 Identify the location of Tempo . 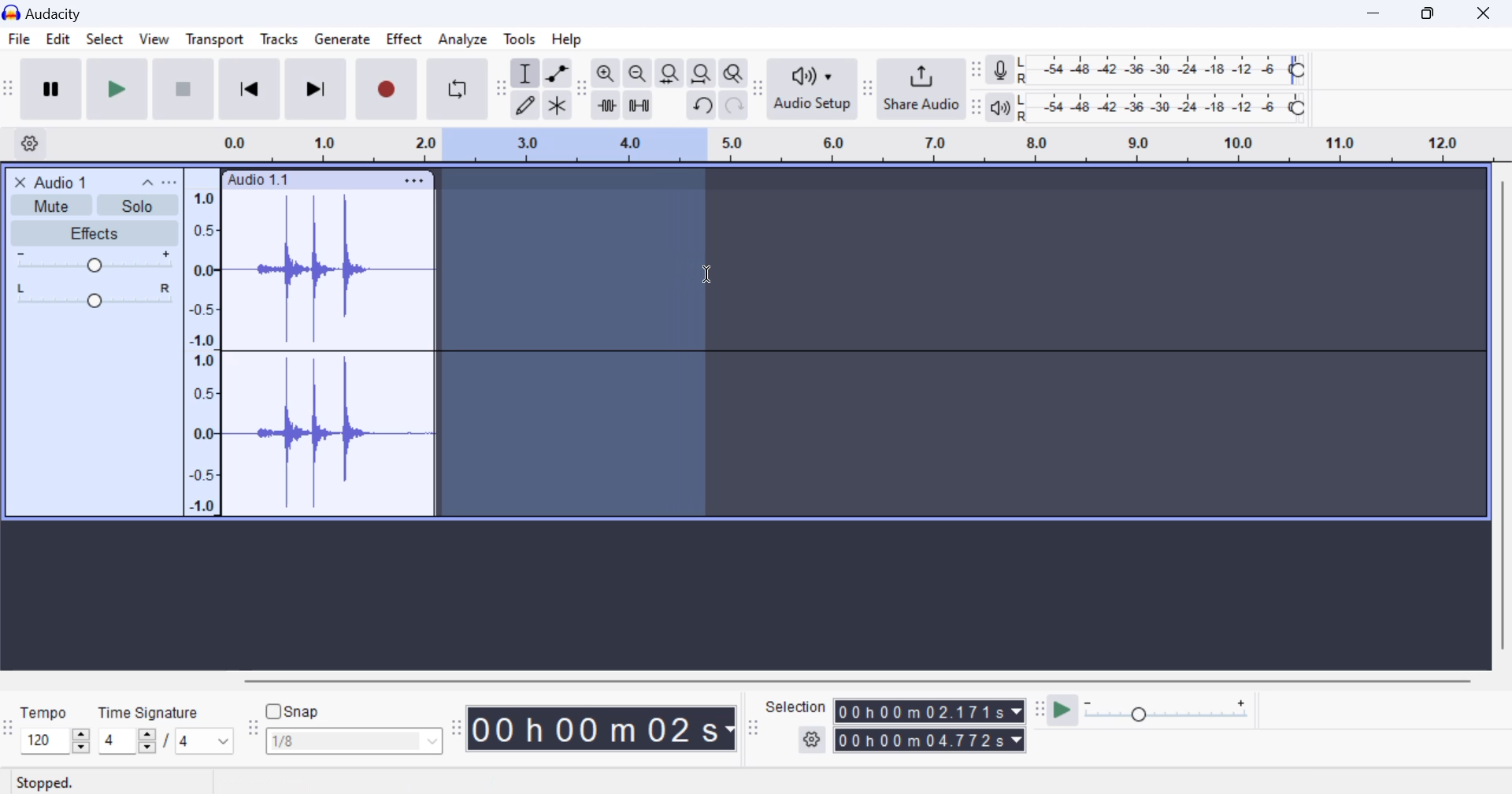
(45, 711).